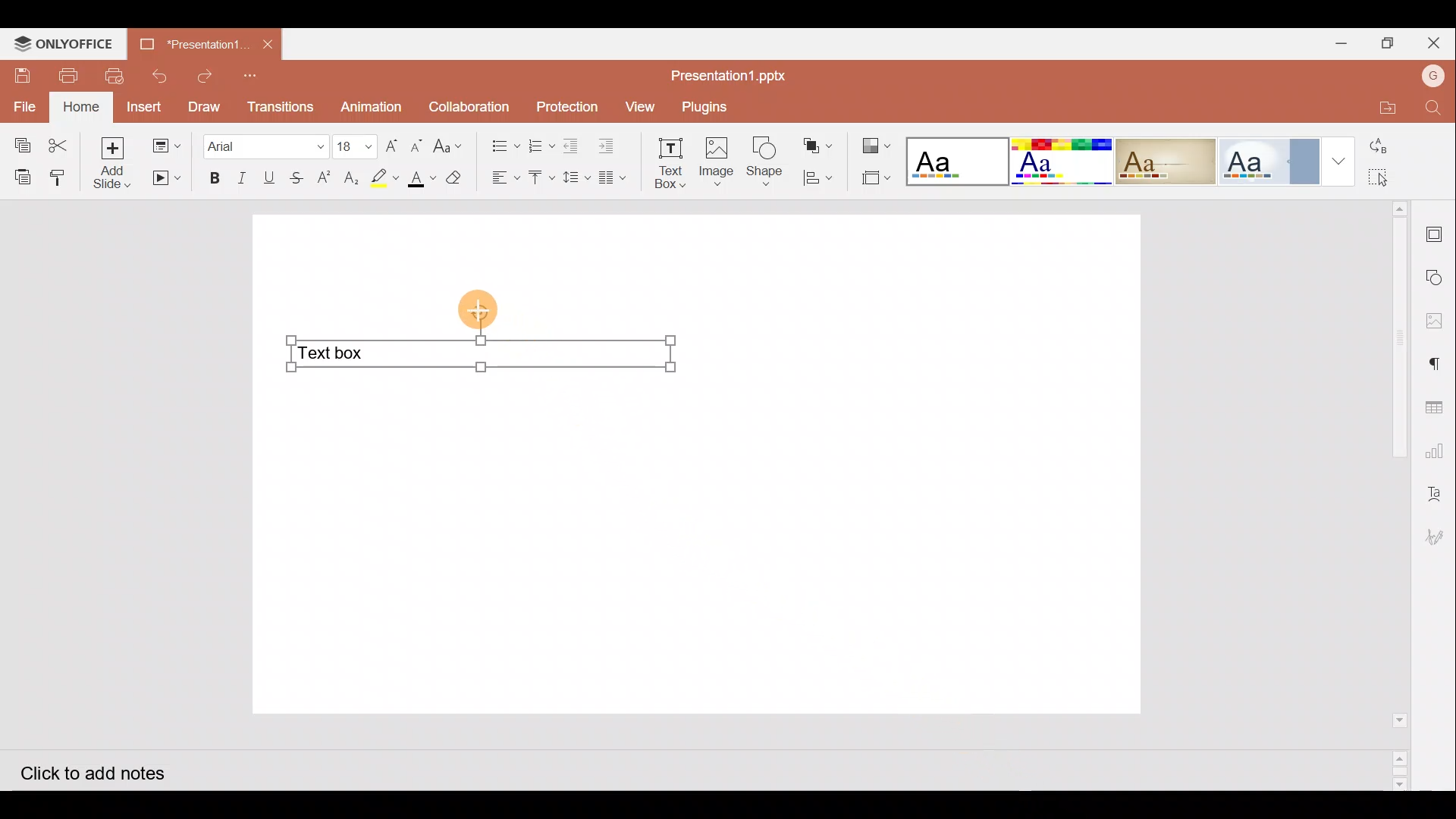 The image size is (1456, 819). What do you see at coordinates (20, 175) in the screenshot?
I see `Paste` at bounding box center [20, 175].